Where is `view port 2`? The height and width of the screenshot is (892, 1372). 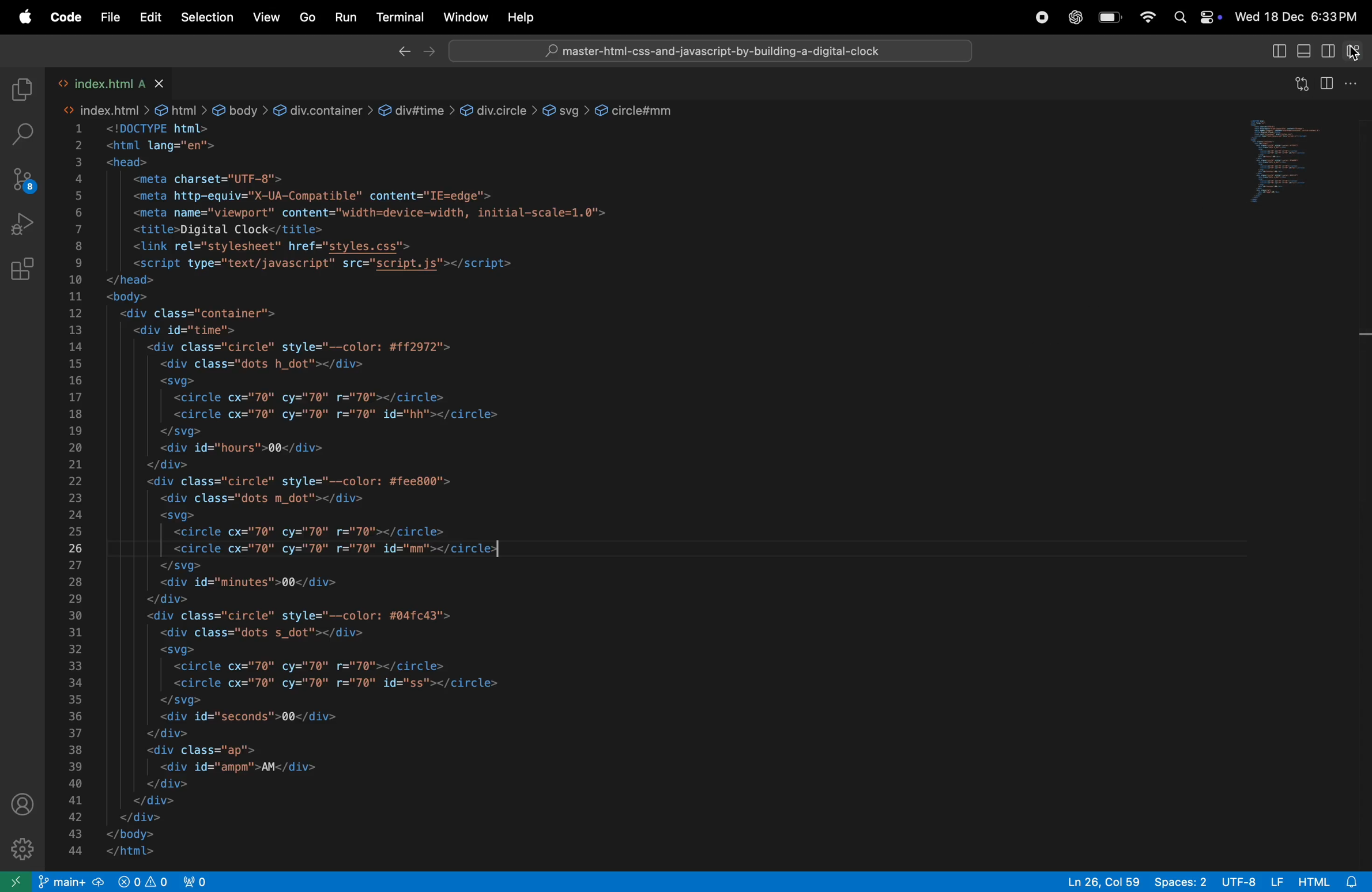 view port 2 is located at coordinates (199, 882).